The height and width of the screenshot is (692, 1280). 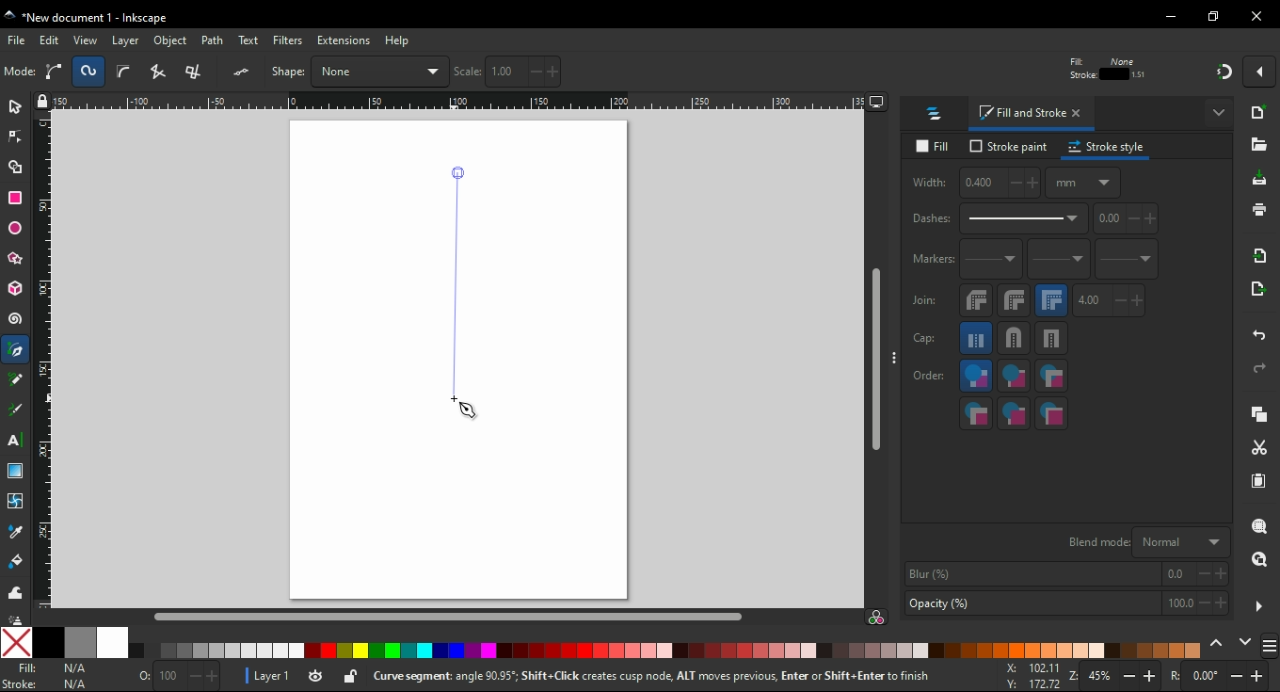 What do you see at coordinates (844, 72) in the screenshot?
I see `lock` at bounding box center [844, 72].